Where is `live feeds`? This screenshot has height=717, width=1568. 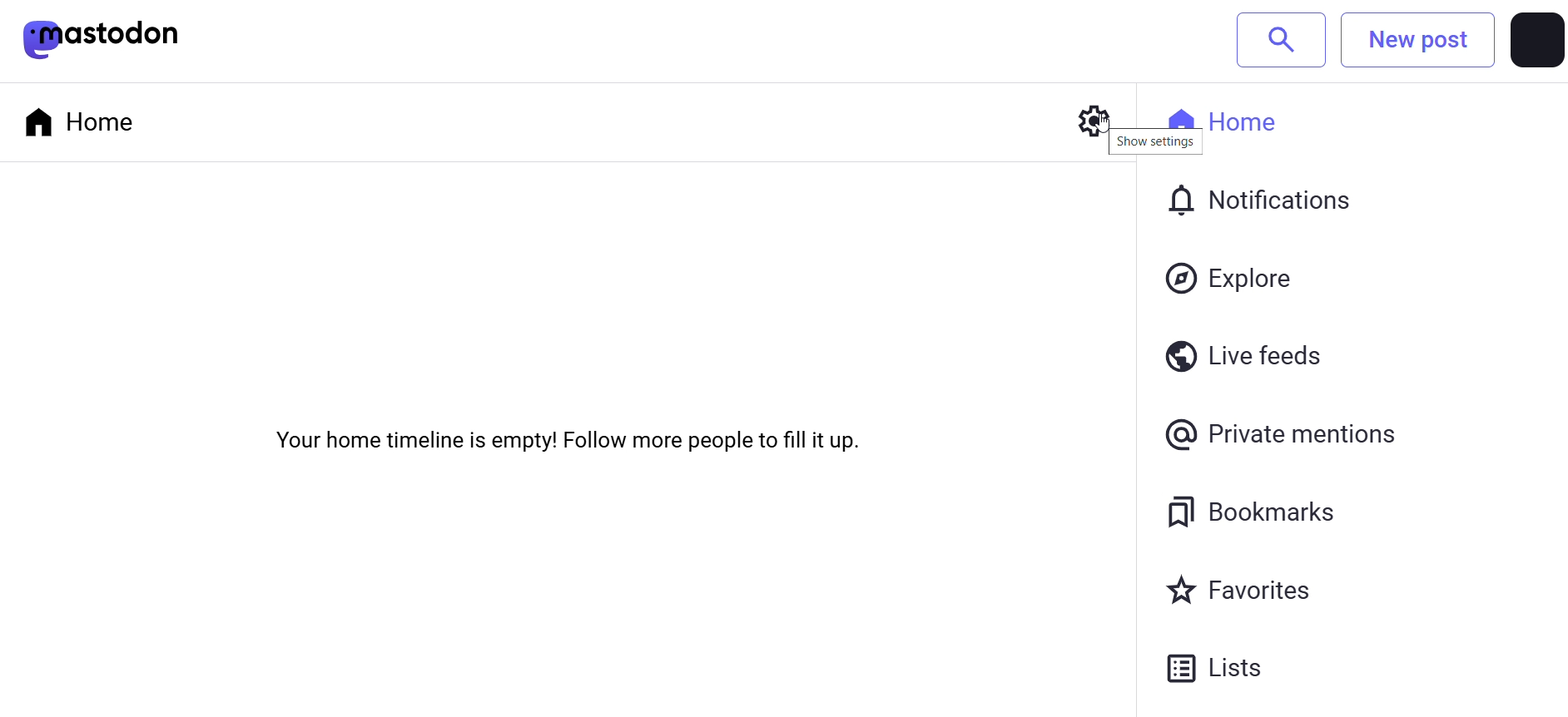
live feeds is located at coordinates (1253, 354).